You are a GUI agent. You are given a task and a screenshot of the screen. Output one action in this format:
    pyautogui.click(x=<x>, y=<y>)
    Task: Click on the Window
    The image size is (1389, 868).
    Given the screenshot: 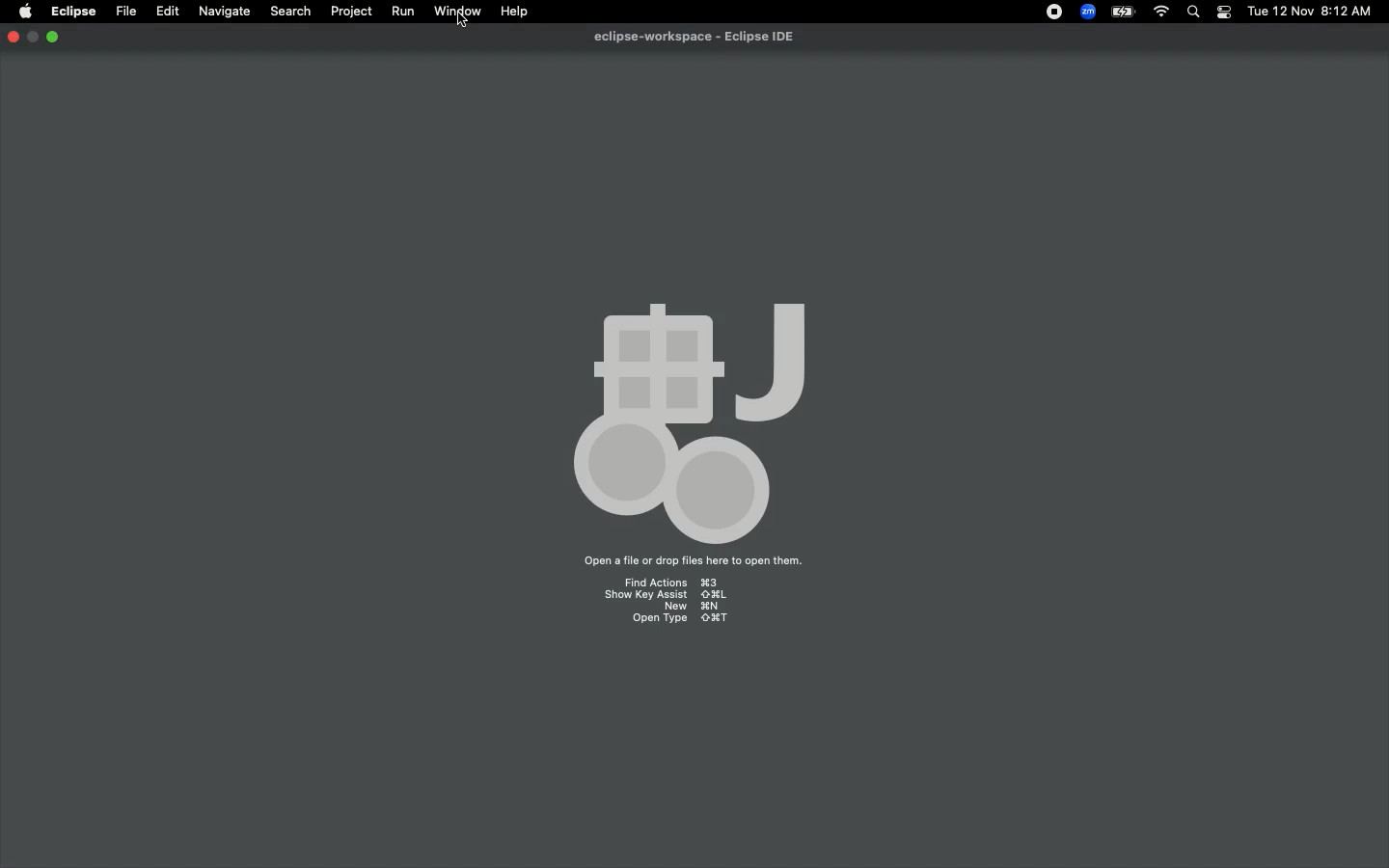 What is the action you would take?
    pyautogui.click(x=454, y=12)
    